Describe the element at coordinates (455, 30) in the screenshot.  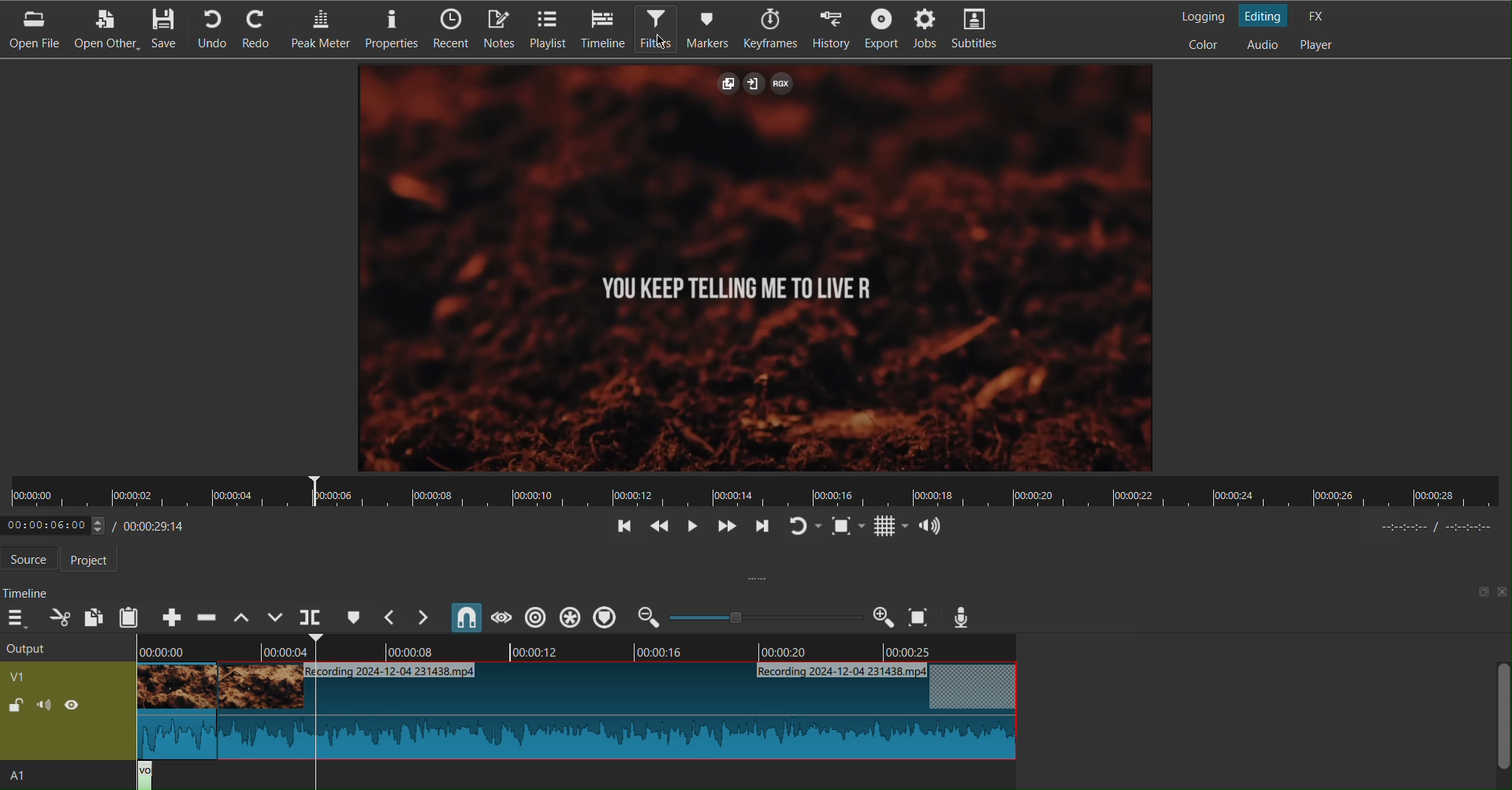
I see `Recent` at that location.